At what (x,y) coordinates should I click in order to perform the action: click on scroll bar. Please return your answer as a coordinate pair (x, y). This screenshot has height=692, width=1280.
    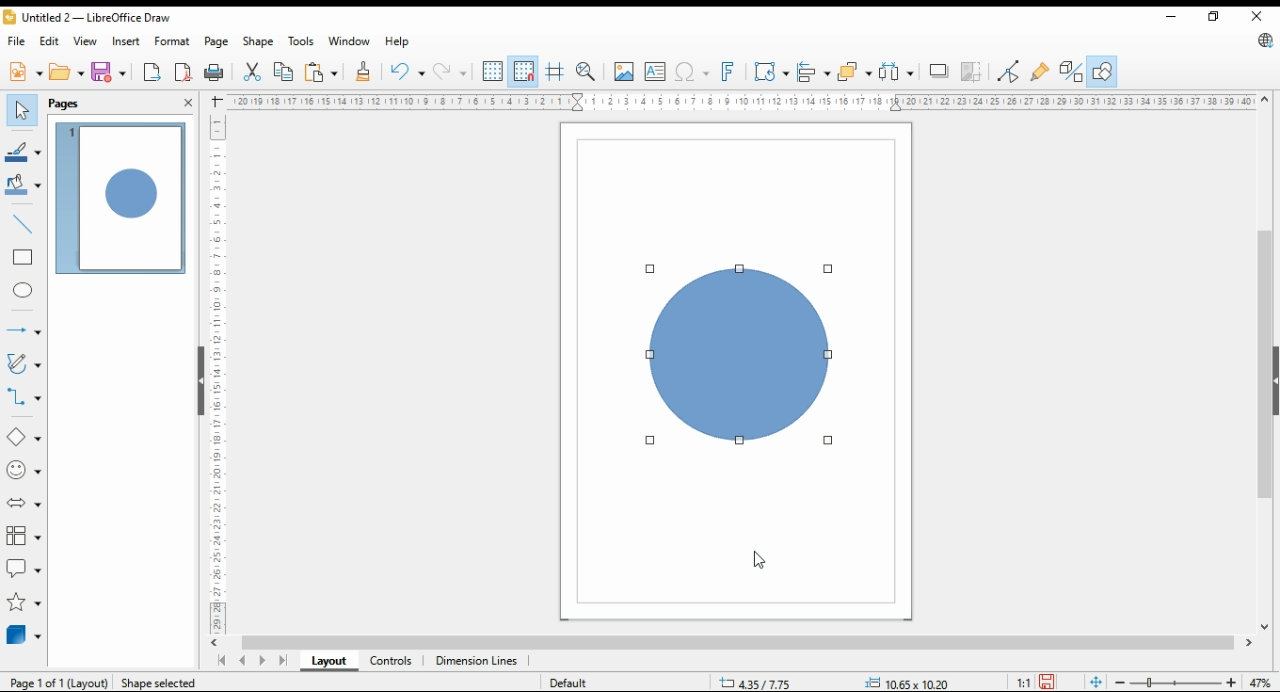
    Looking at the image, I should click on (1266, 361).